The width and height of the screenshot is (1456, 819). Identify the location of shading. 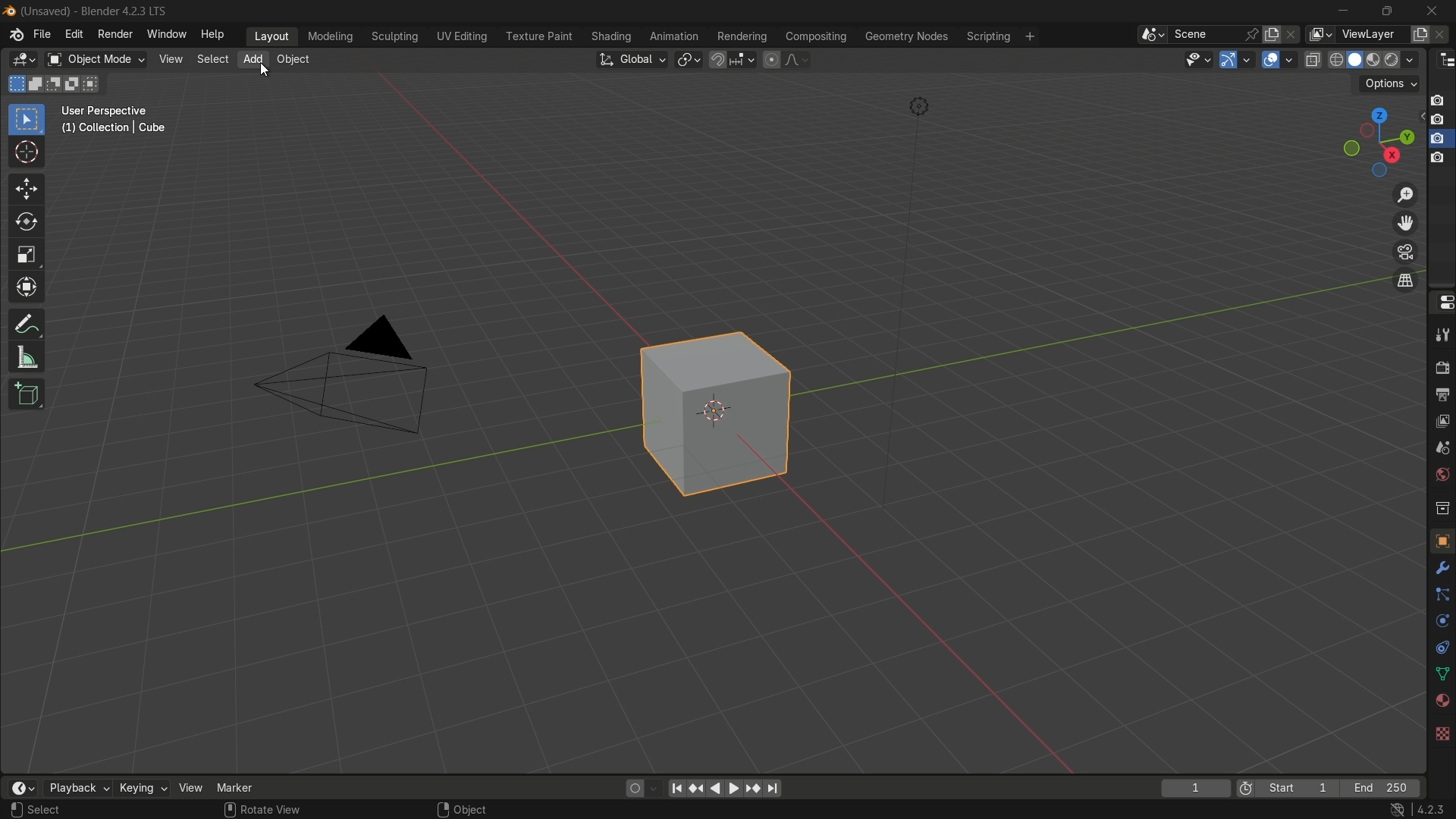
(610, 36).